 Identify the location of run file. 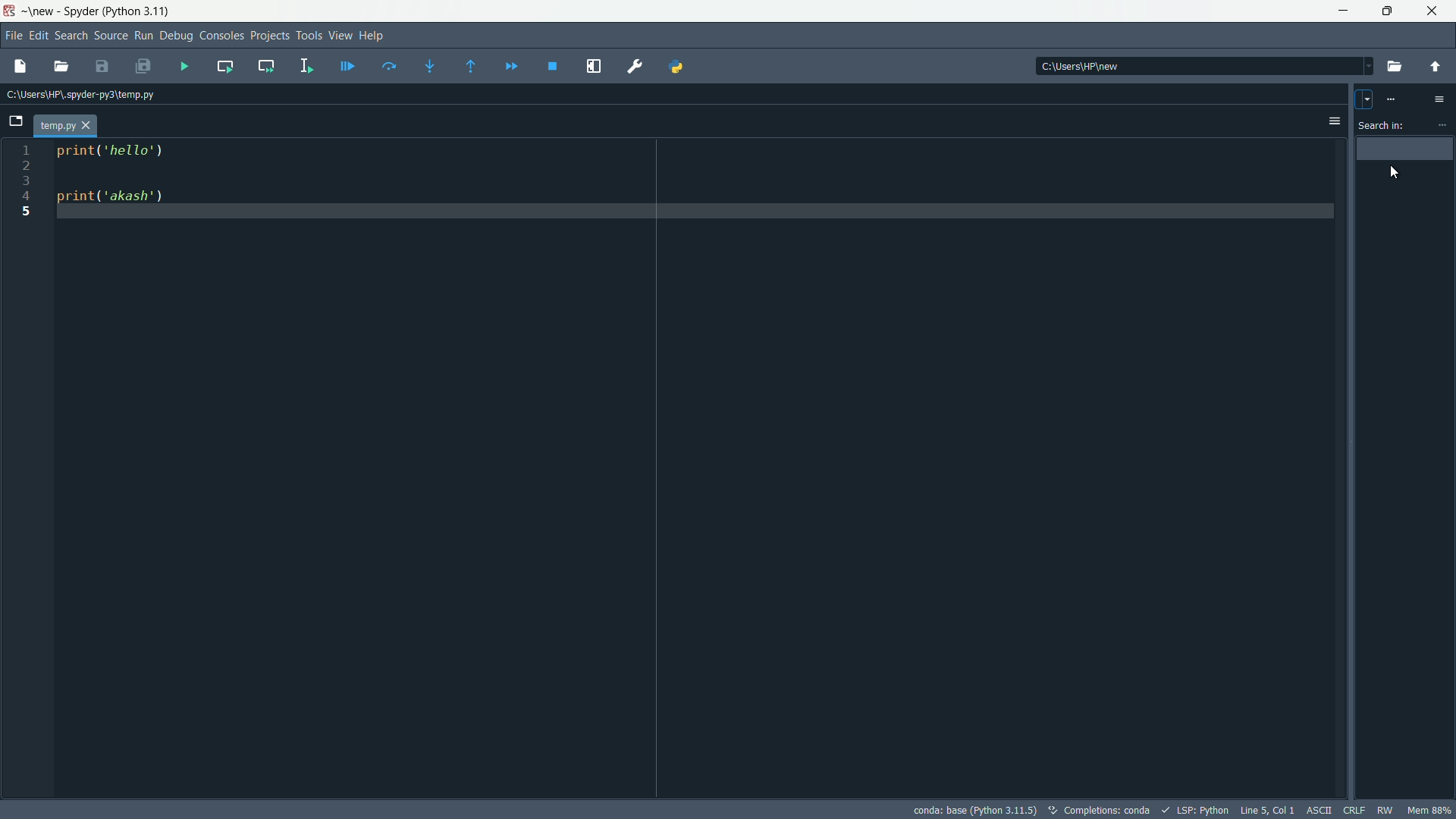
(186, 66).